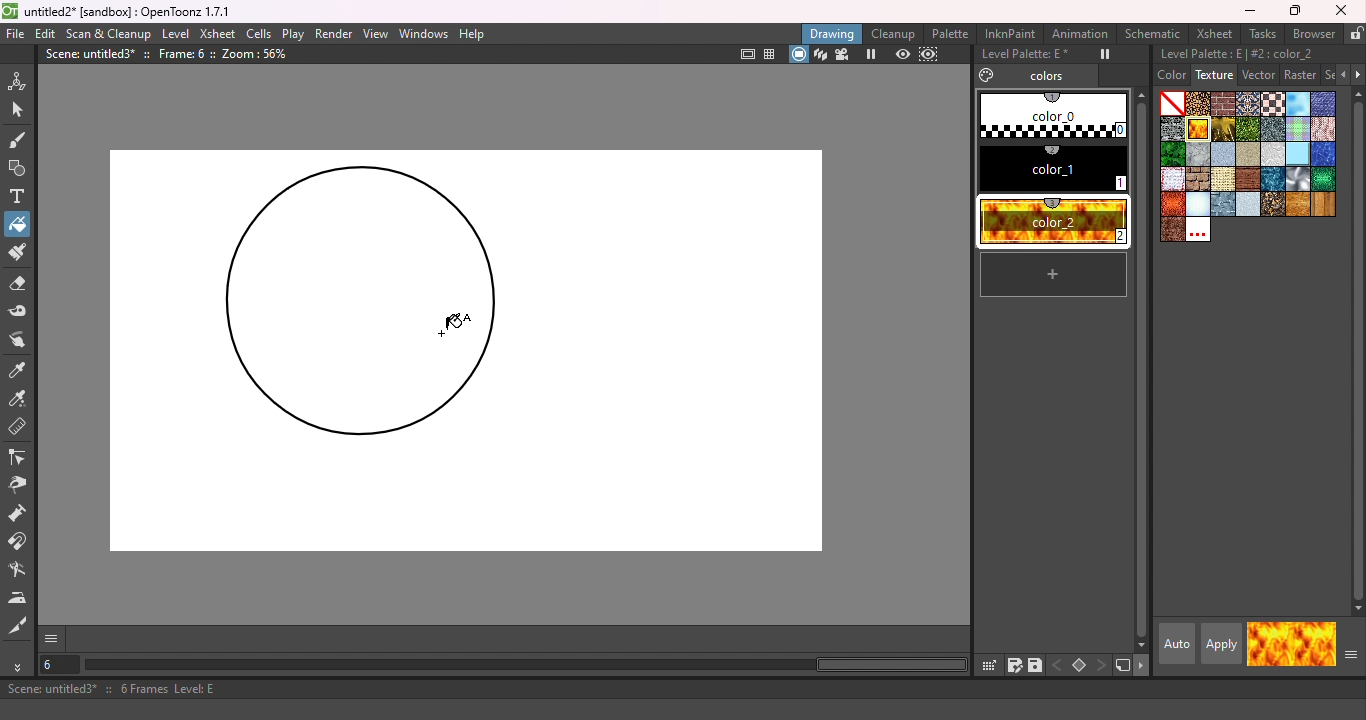 The height and width of the screenshot is (720, 1366). What do you see at coordinates (1102, 666) in the screenshot?
I see `next key` at bounding box center [1102, 666].